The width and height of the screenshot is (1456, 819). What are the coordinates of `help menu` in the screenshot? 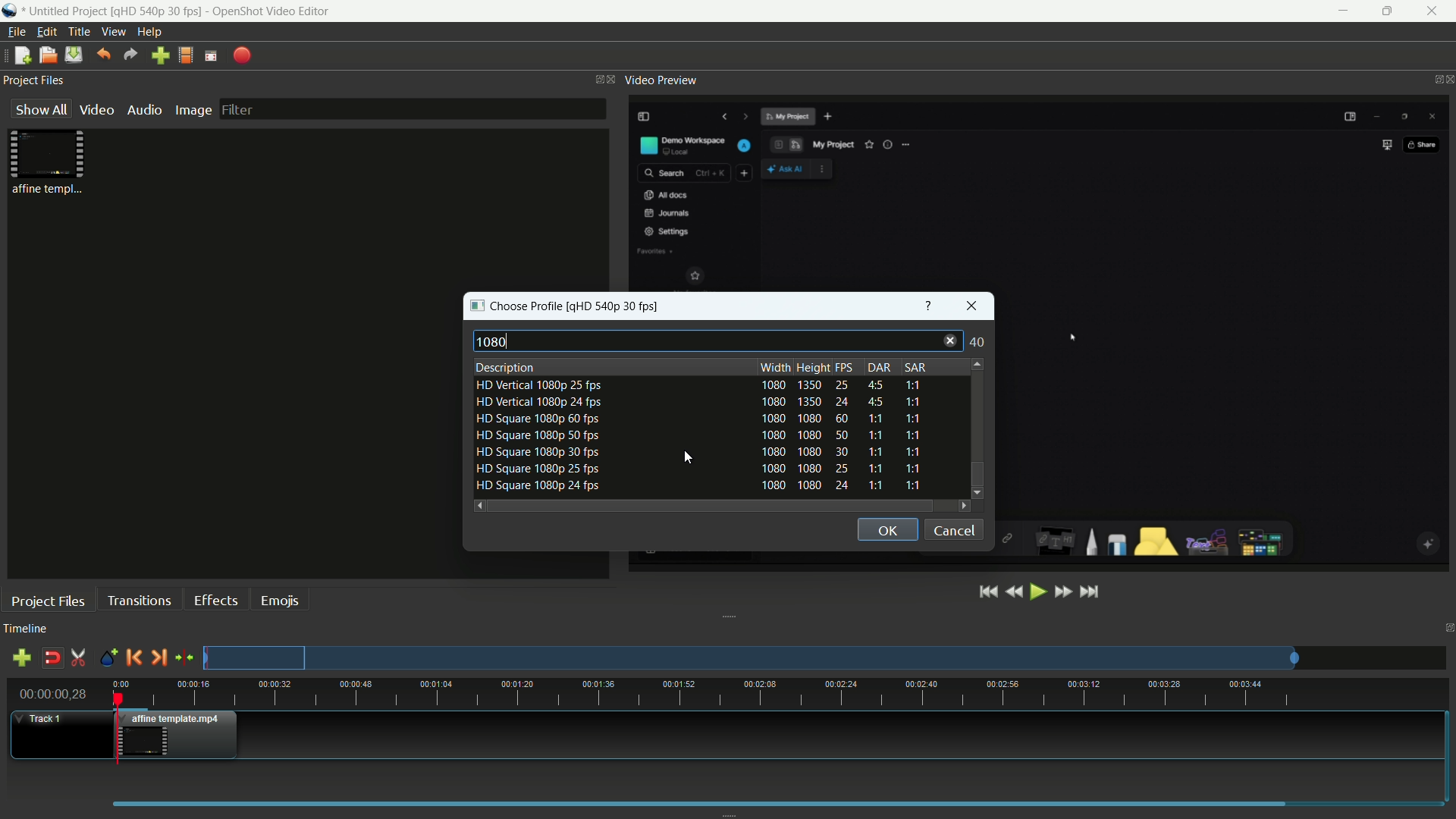 It's located at (149, 32).